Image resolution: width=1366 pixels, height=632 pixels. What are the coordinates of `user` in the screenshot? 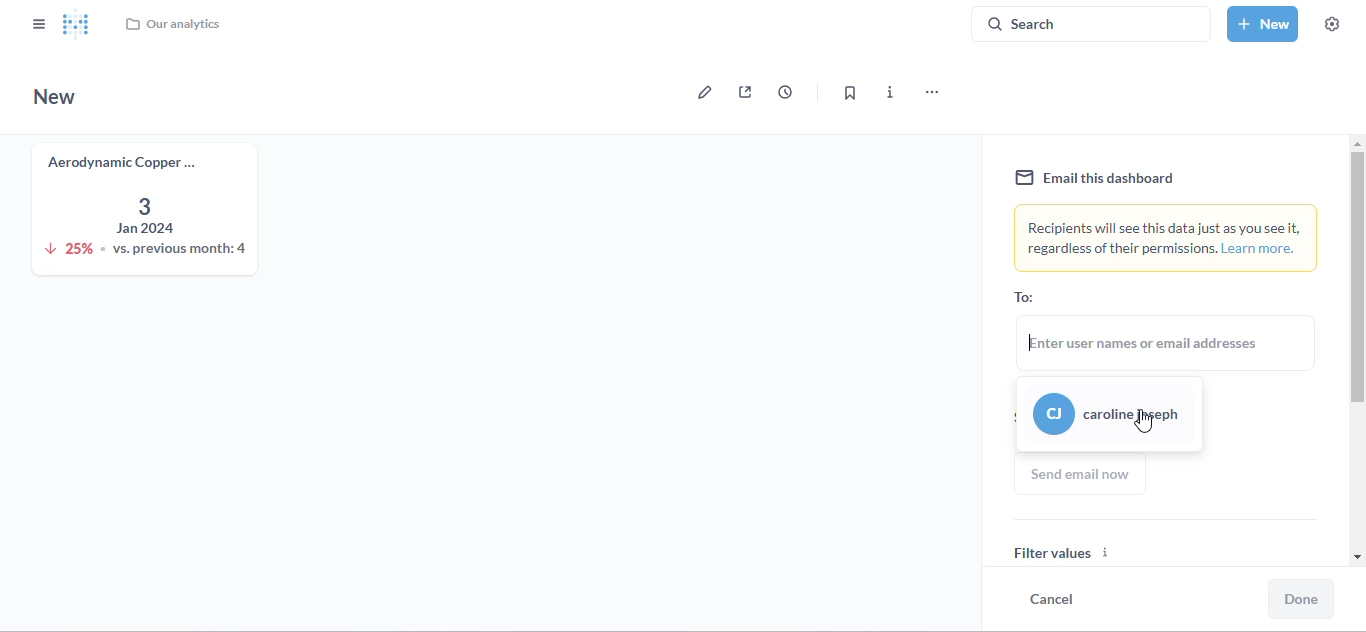 It's located at (1109, 416).